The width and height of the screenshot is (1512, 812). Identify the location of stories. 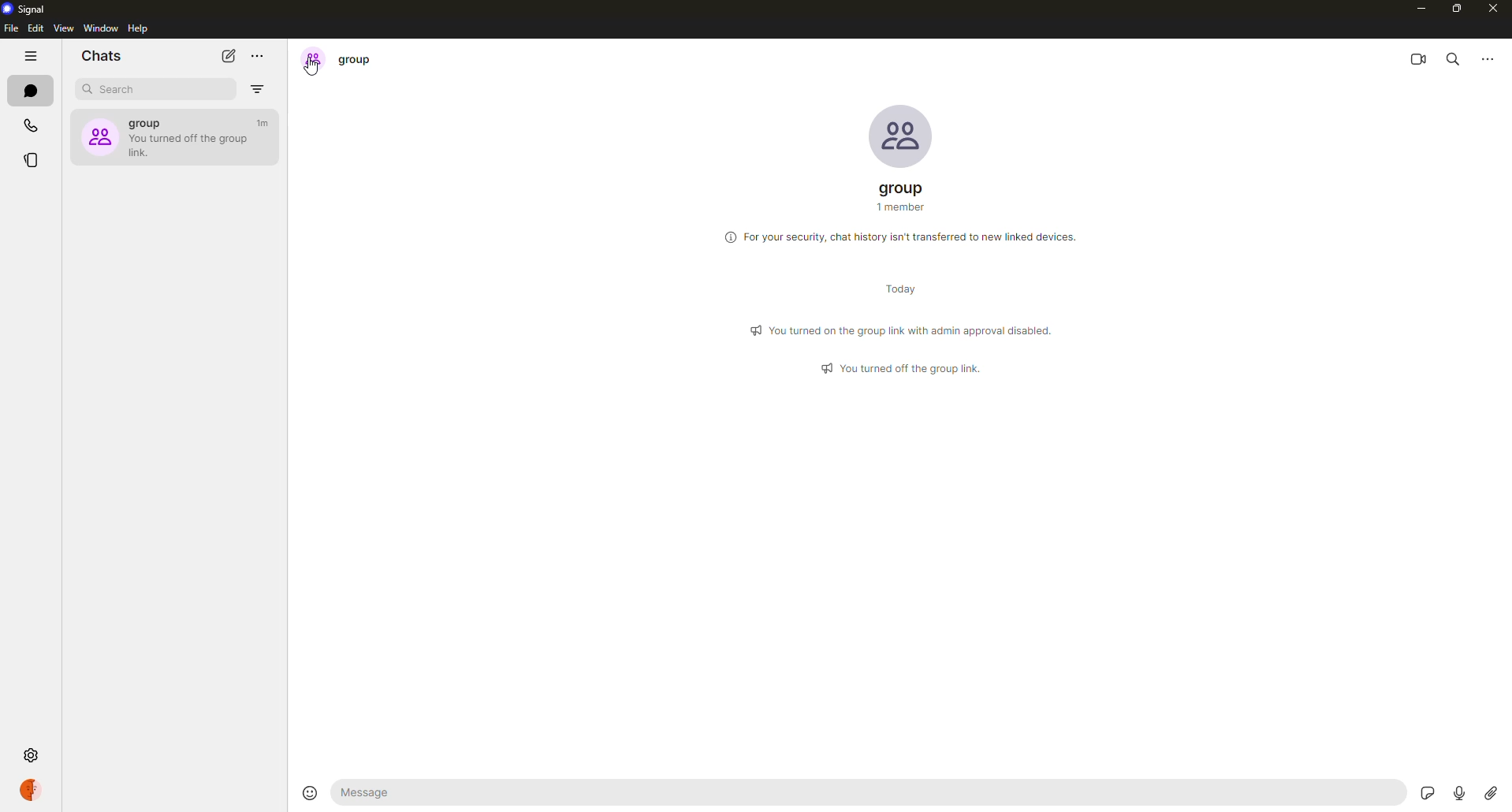
(33, 158).